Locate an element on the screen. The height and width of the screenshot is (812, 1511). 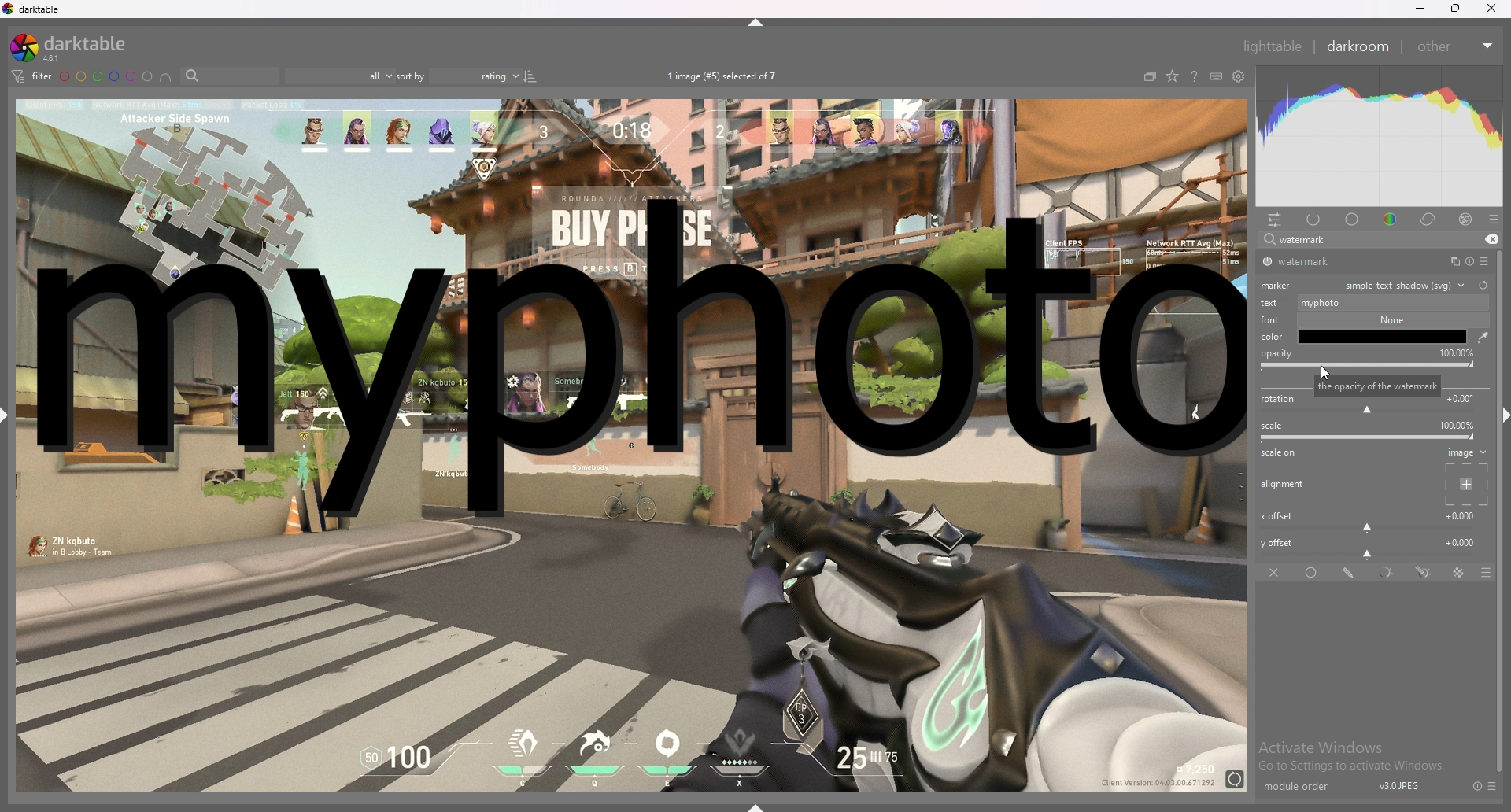
color is located at coordinates (1393, 218).